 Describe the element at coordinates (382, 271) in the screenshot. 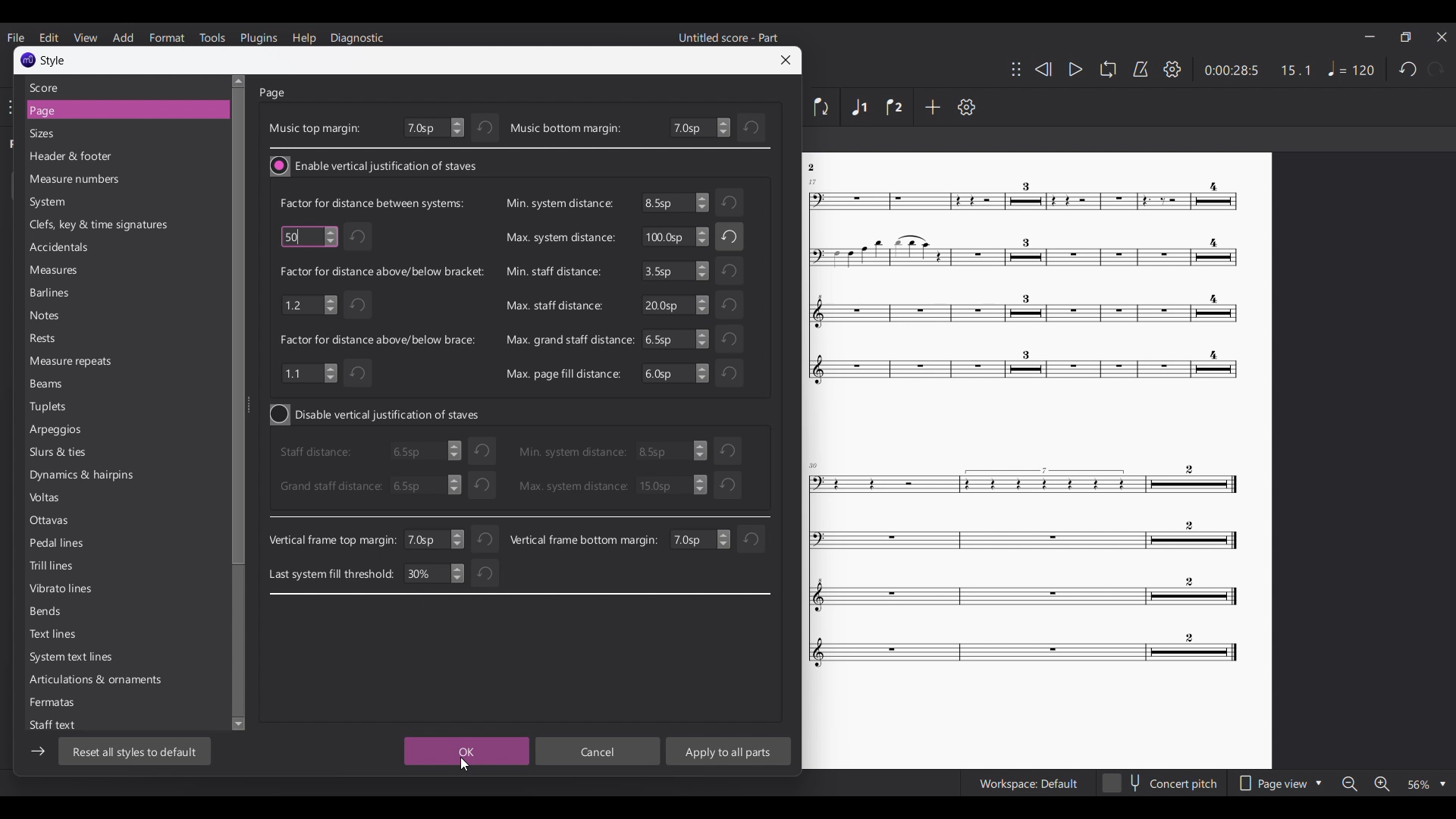

I see `Indicates factor for distance above/below bracket` at that location.